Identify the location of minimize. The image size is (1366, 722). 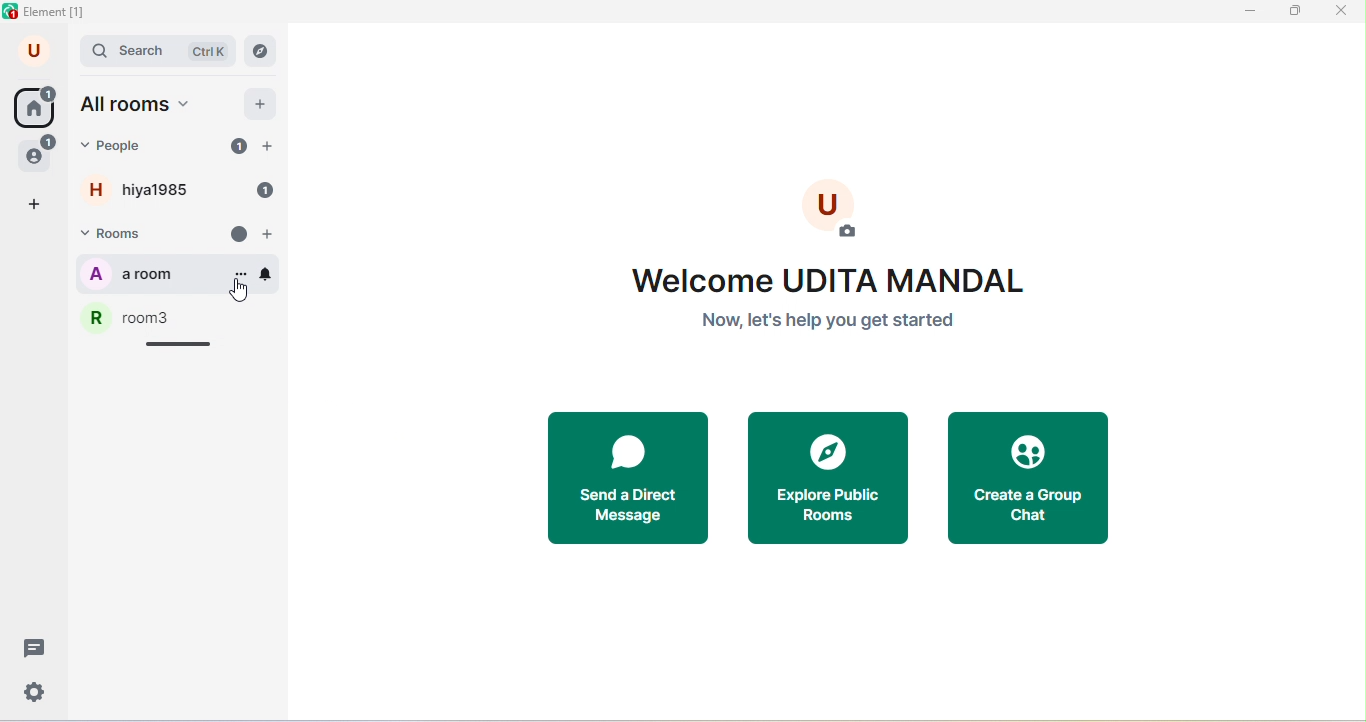
(1248, 15).